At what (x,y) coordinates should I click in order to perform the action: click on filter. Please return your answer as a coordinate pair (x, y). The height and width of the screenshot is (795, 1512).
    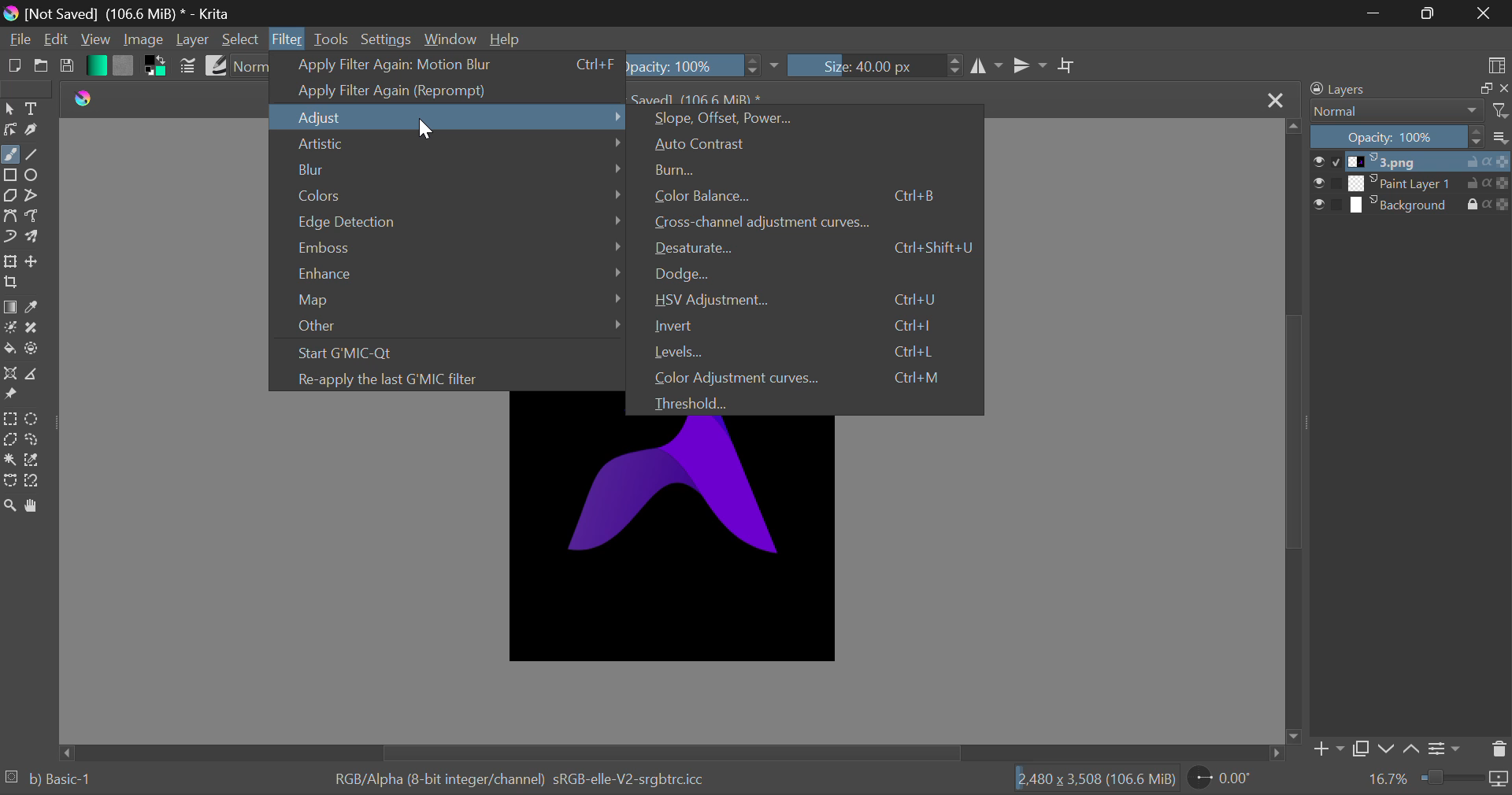
    Looking at the image, I should click on (1499, 111).